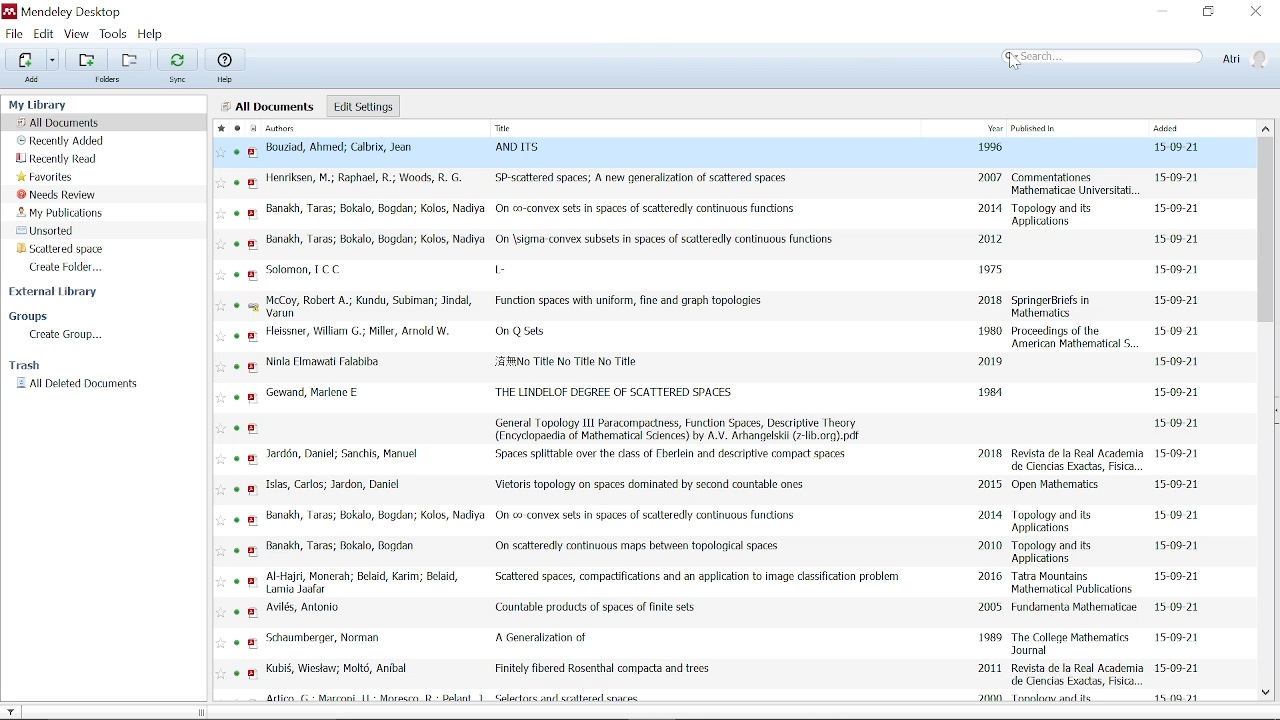  Describe the element at coordinates (222, 429) in the screenshot. I see `Add to favorite` at that location.